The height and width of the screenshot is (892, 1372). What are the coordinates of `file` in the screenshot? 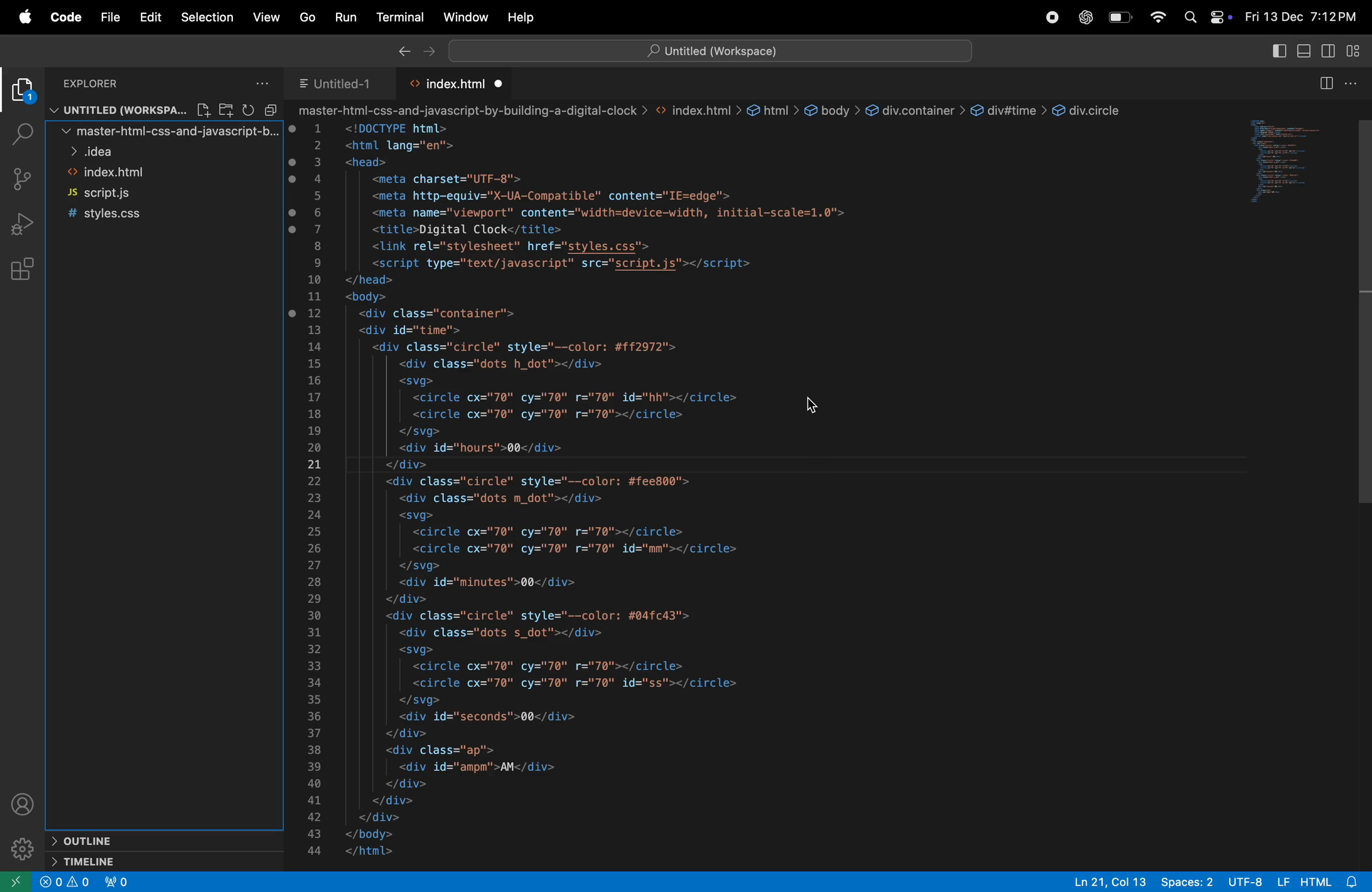 It's located at (225, 110).